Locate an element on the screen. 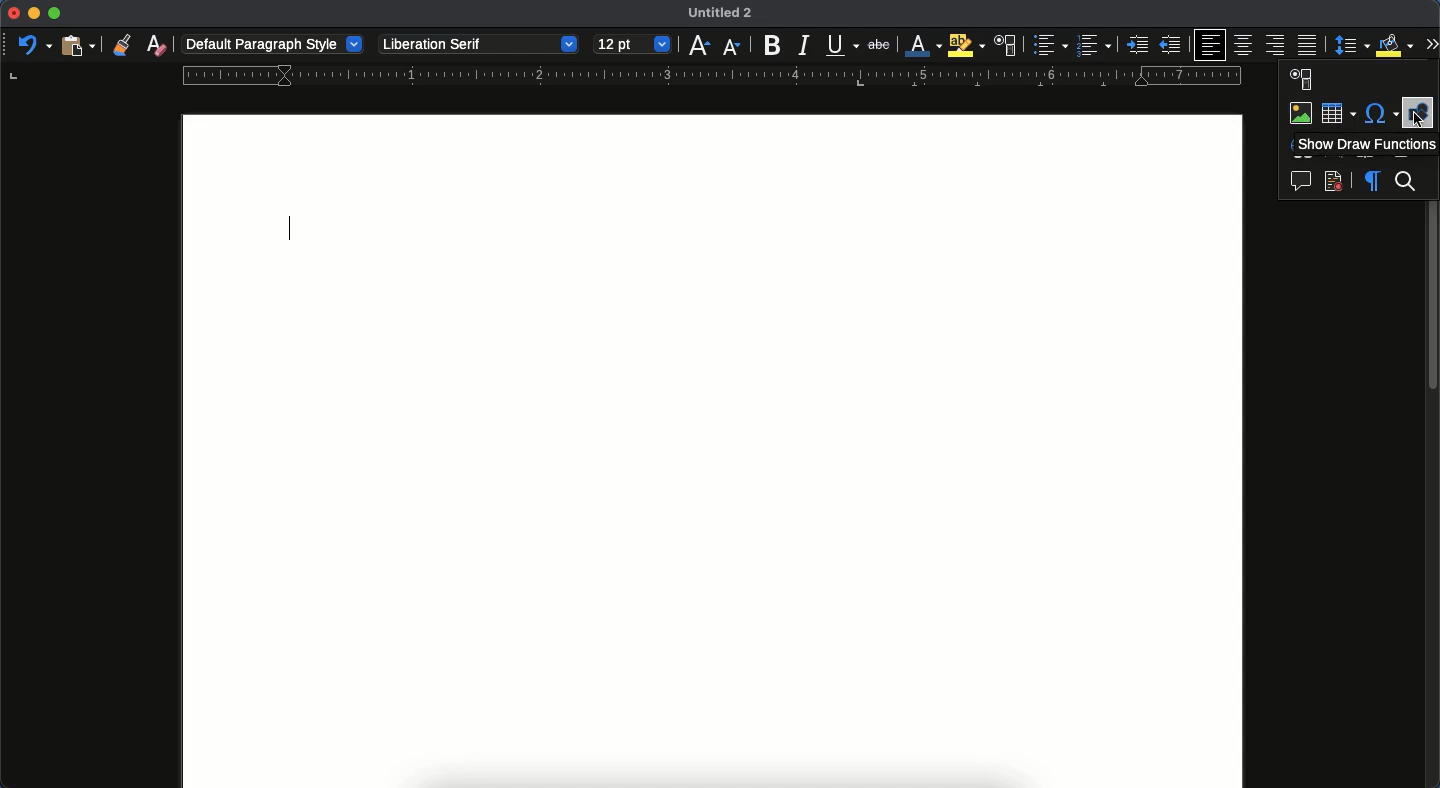 This screenshot has width=1440, height=788. default paragraph style is located at coordinates (273, 44).